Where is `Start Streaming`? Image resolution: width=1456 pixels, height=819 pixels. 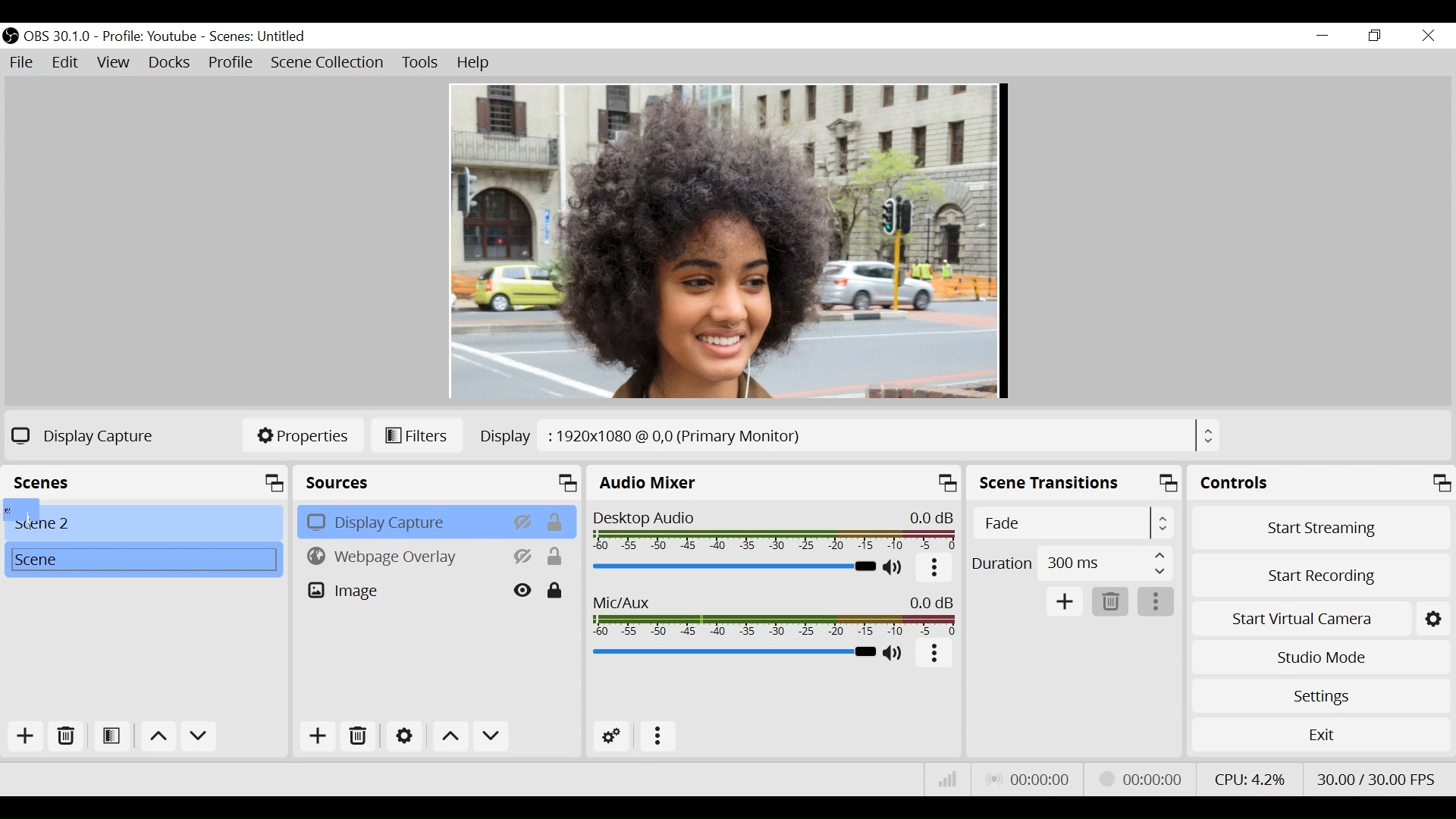 Start Streaming is located at coordinates (1320, 528).